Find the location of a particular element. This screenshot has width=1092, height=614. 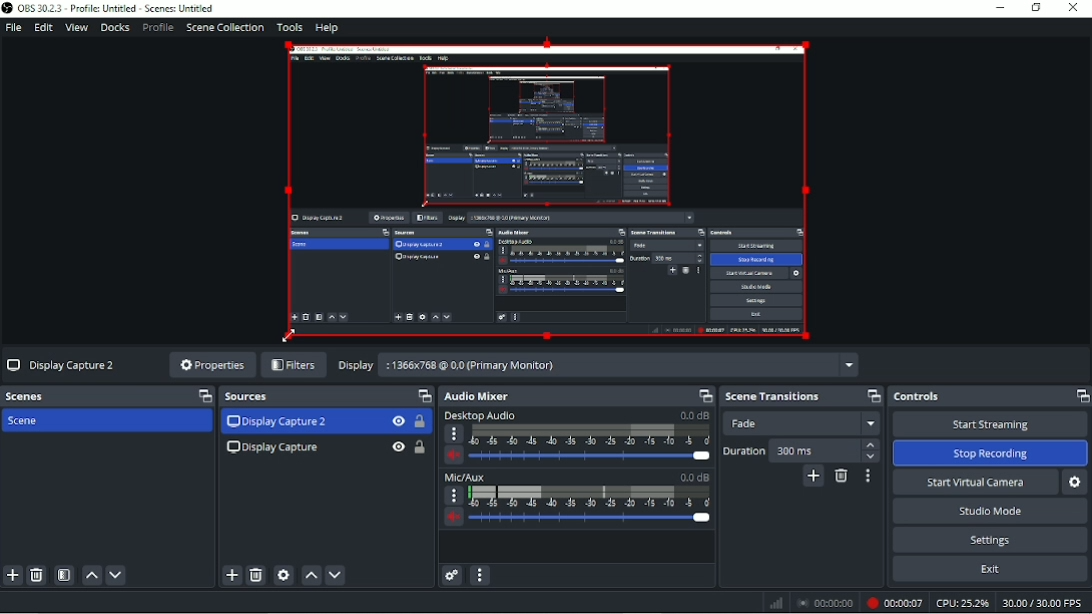

View is located at coordinates (76, 27).